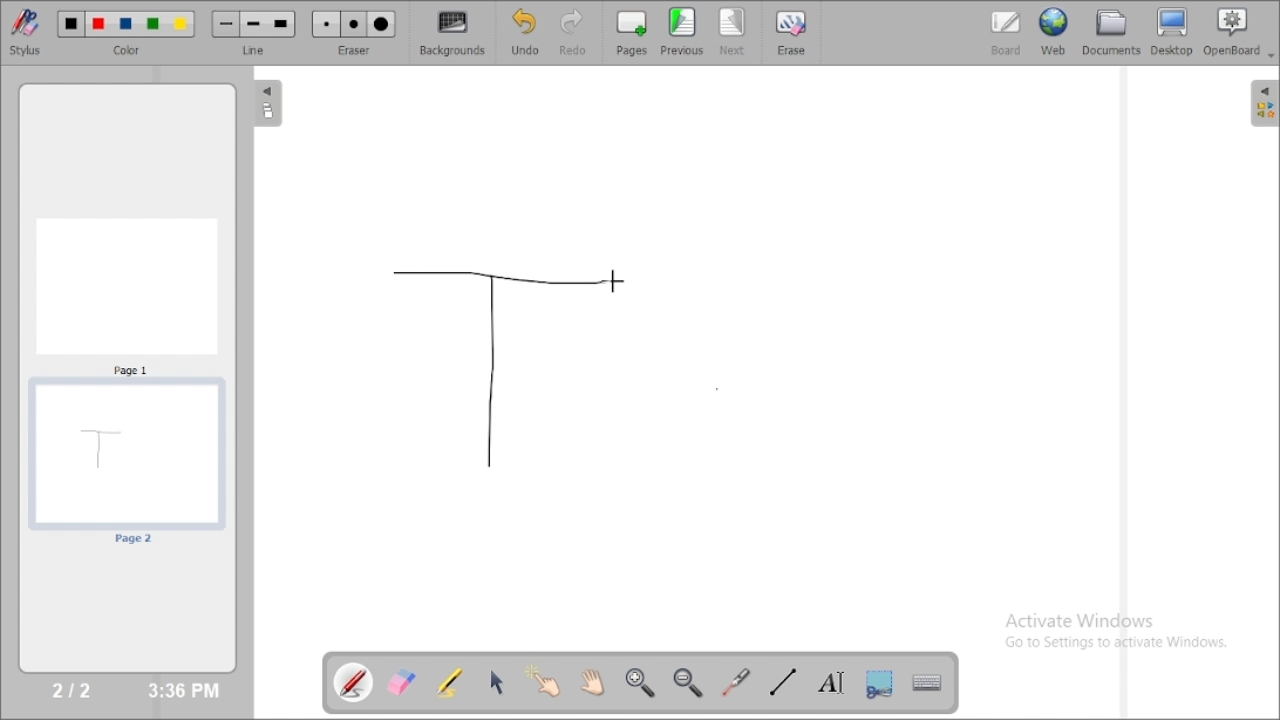  What do you see at coordinates (545, 681) in the screenshot?
I see `interact with items` at bounding box center [545, 681].